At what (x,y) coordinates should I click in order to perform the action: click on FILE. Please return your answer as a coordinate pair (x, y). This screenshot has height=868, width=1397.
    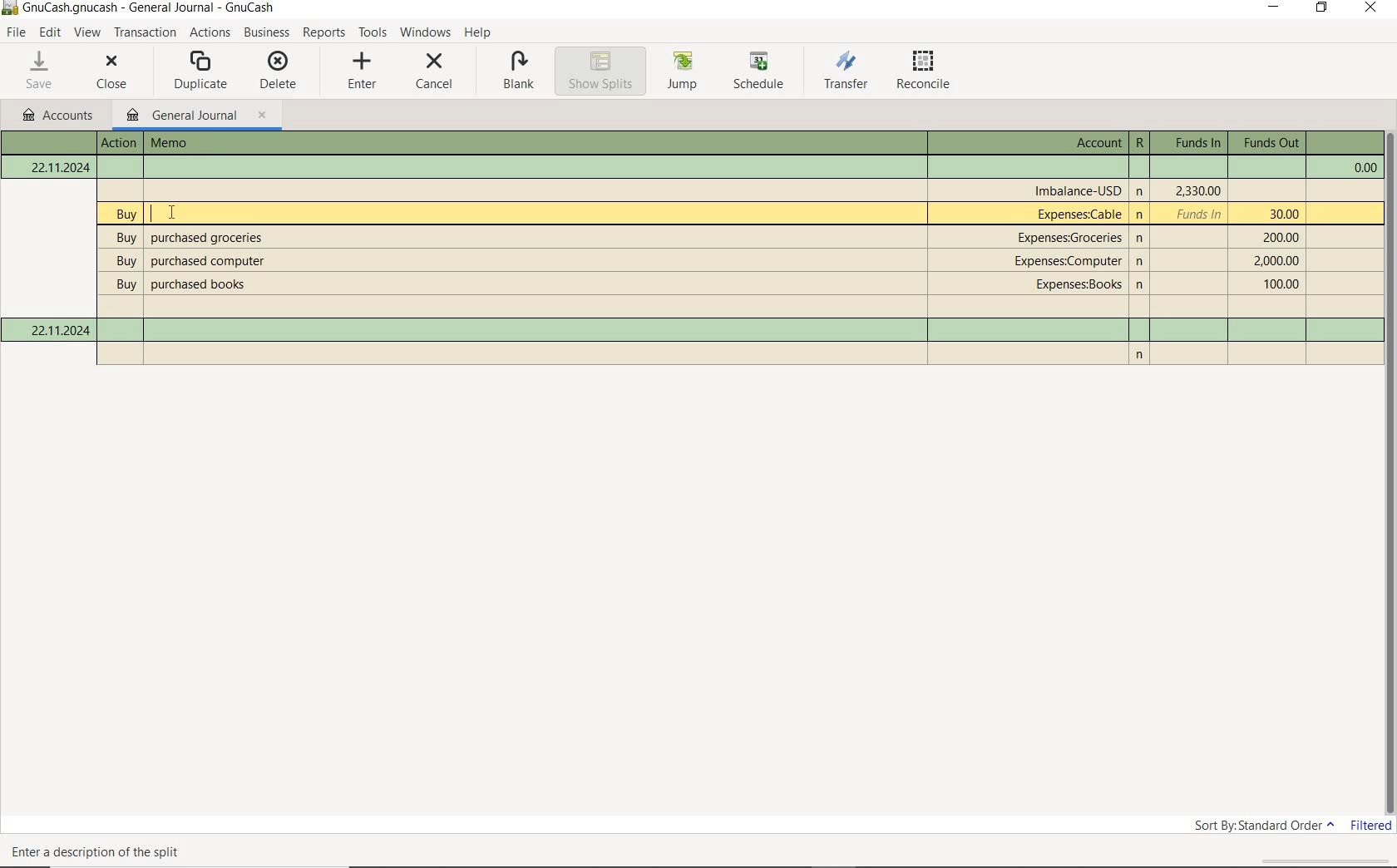
    Looking at the image, I should click on (14, 34).